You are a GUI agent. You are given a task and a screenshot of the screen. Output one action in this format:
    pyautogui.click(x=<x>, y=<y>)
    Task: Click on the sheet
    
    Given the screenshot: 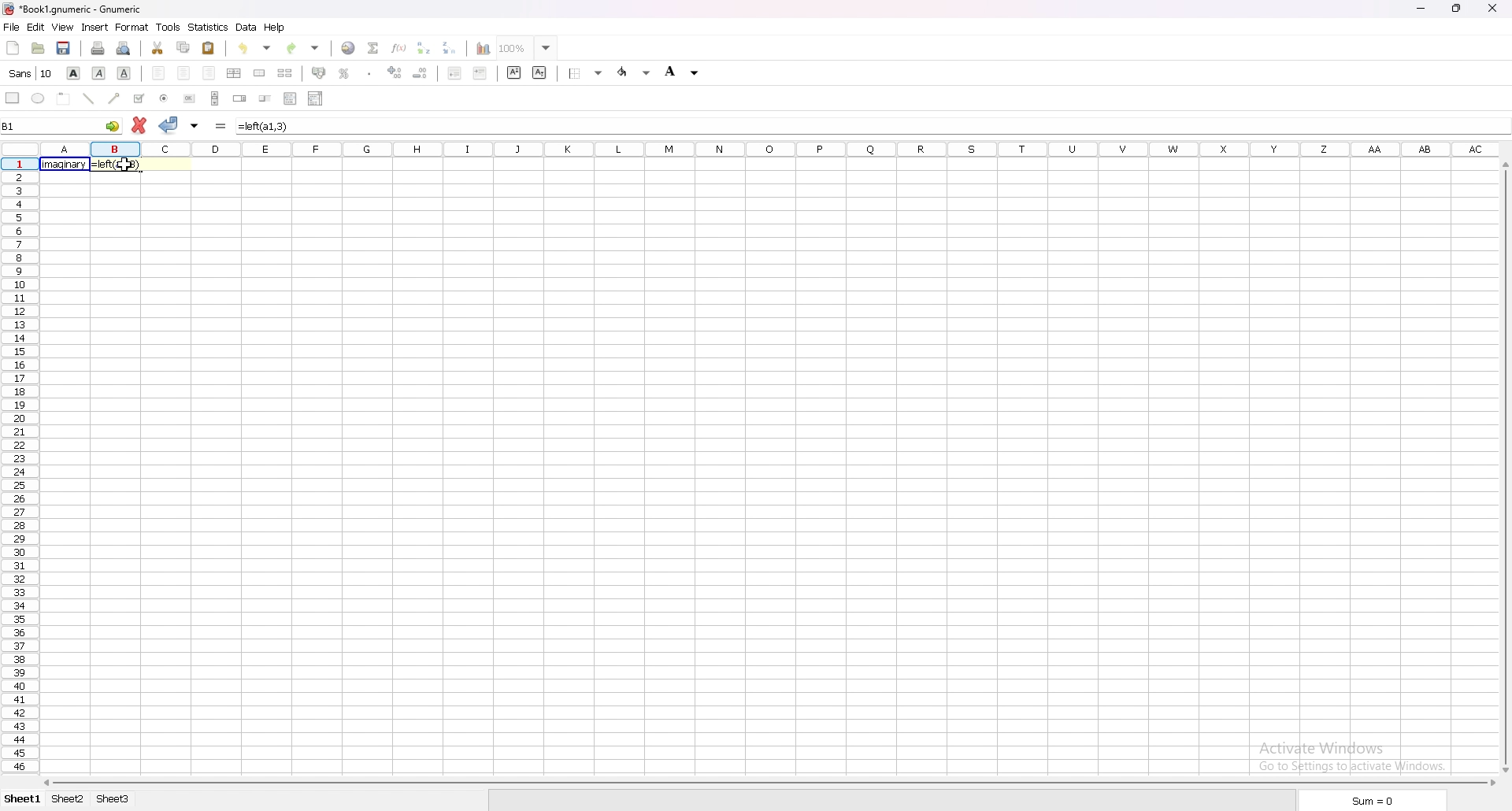 What is the action you would take?
    pyautogui.click(x=71, y=799)
    